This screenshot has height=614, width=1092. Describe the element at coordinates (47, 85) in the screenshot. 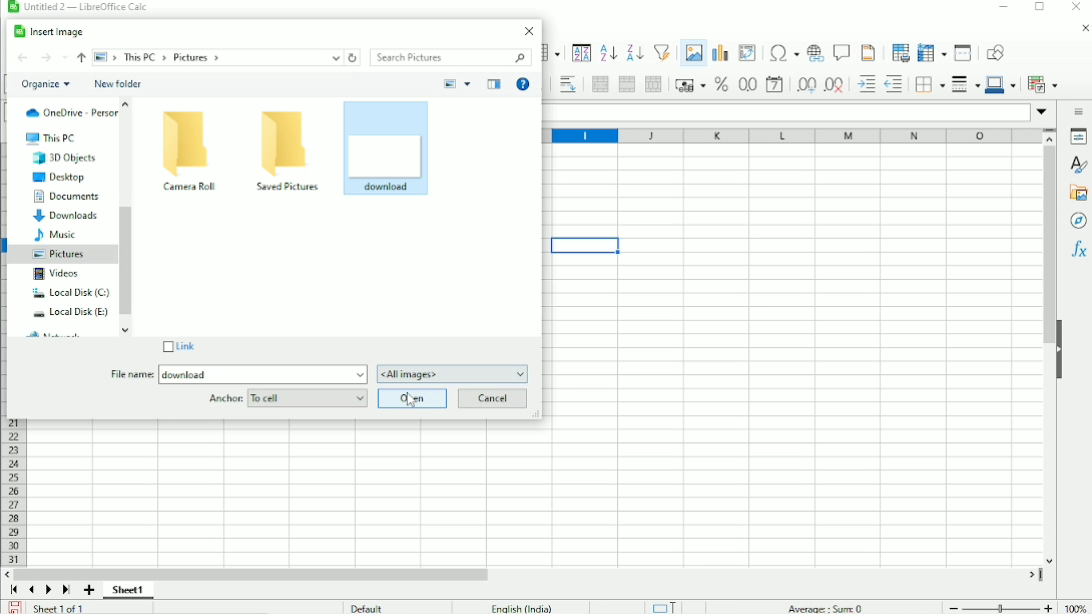

I see `Organize` at that location.